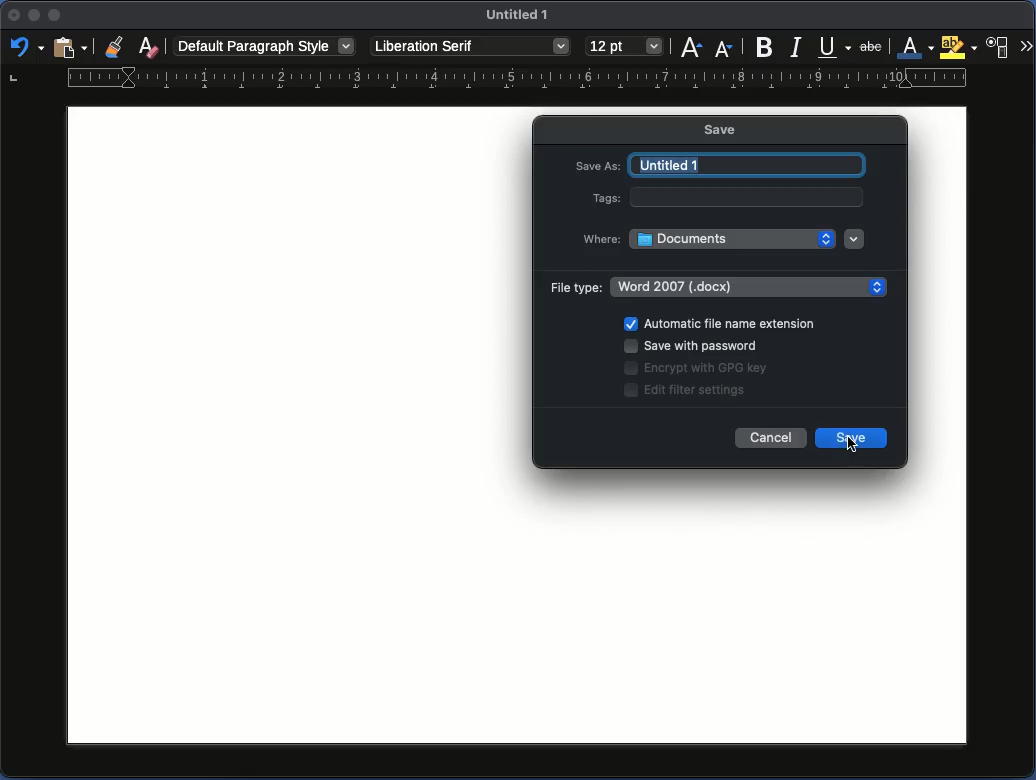  I want to click on Size, so click(624, 47).